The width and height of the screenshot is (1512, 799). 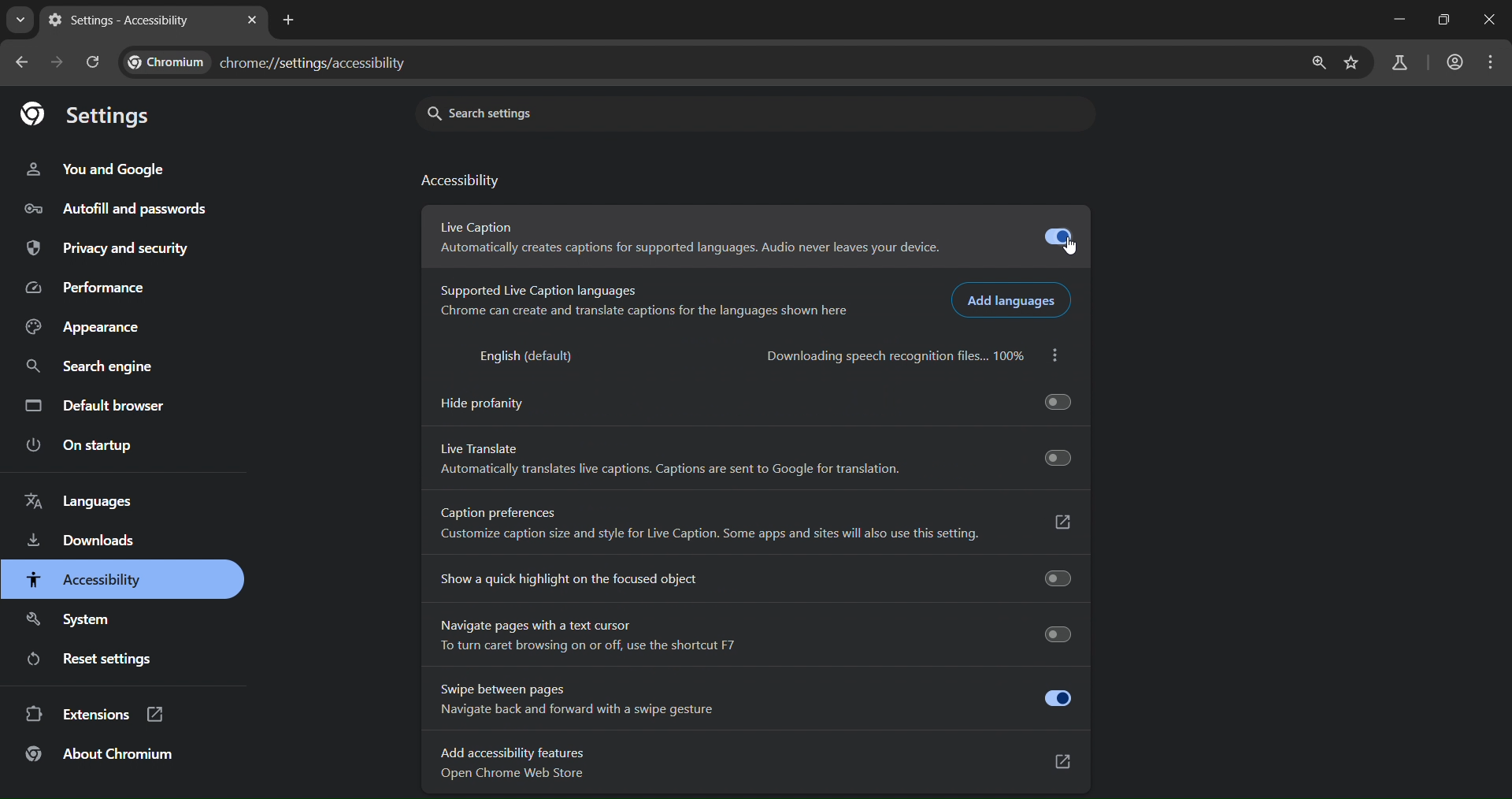 I want to click on go forward one page, so click(x=57, y=64).